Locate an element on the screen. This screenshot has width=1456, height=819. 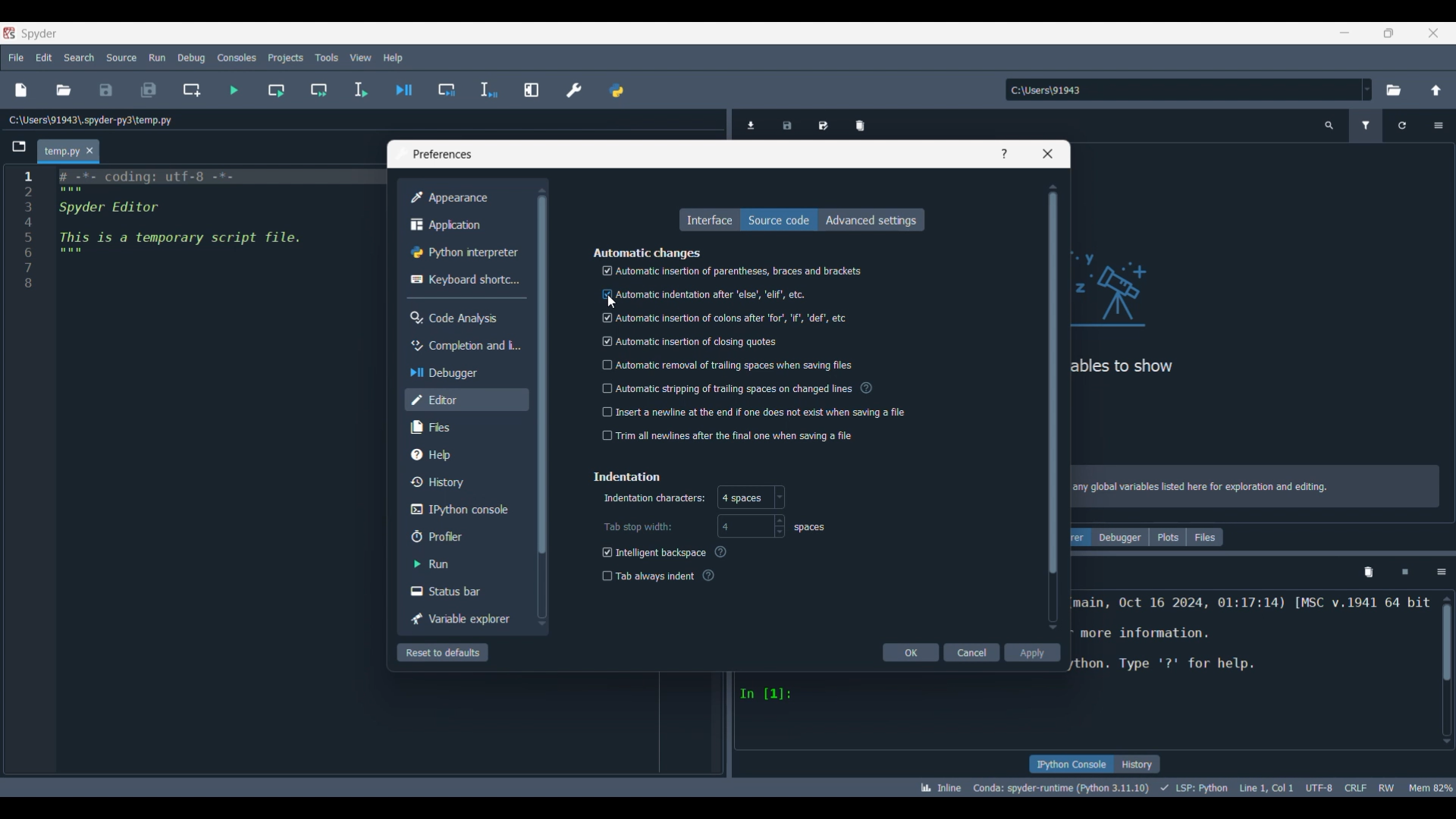
scrollbar is located at coordinates (1448, 639).